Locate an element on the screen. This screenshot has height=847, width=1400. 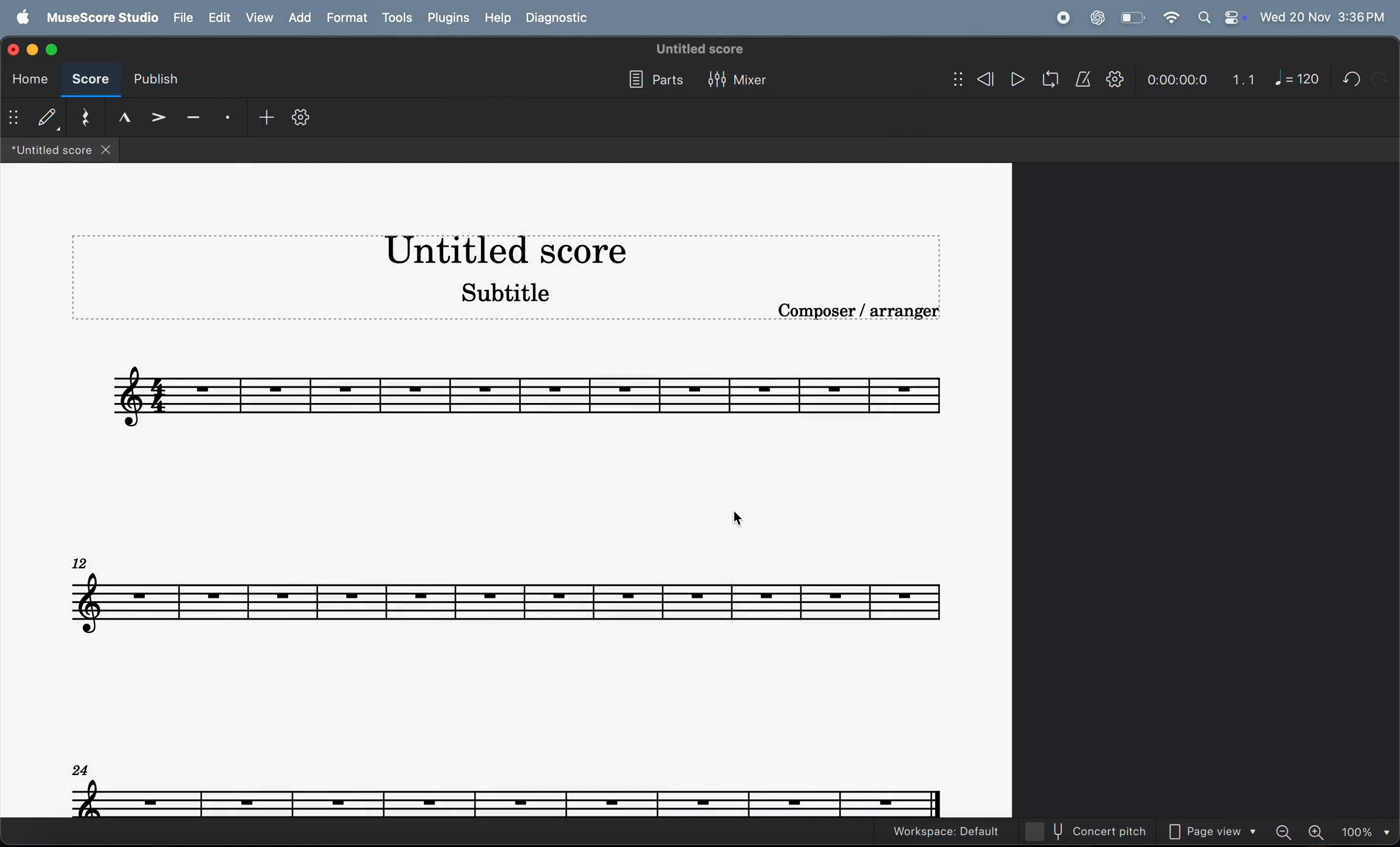
file is located at coordinates (181, 18).